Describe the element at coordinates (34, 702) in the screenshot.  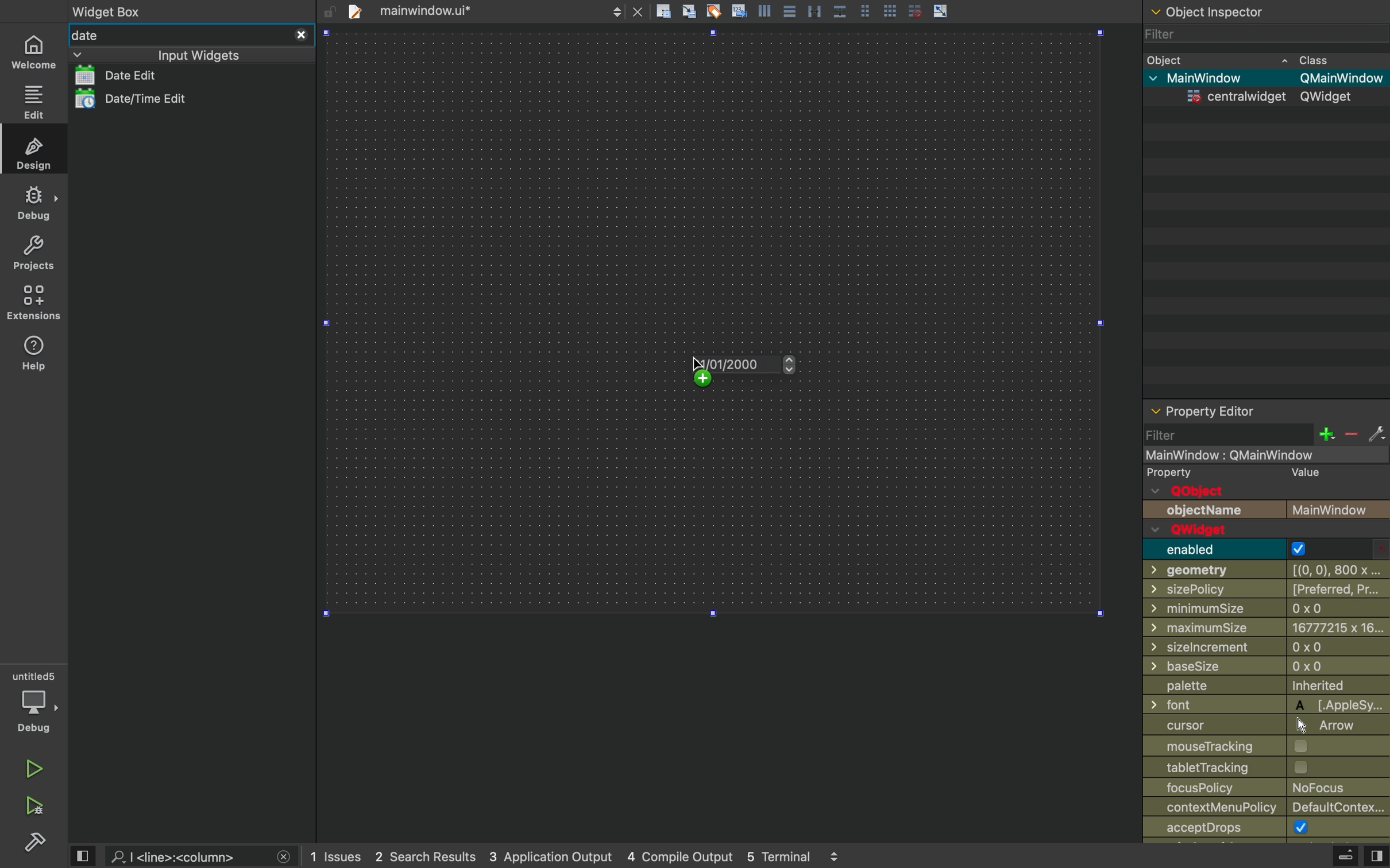
I see `debug` at that location.